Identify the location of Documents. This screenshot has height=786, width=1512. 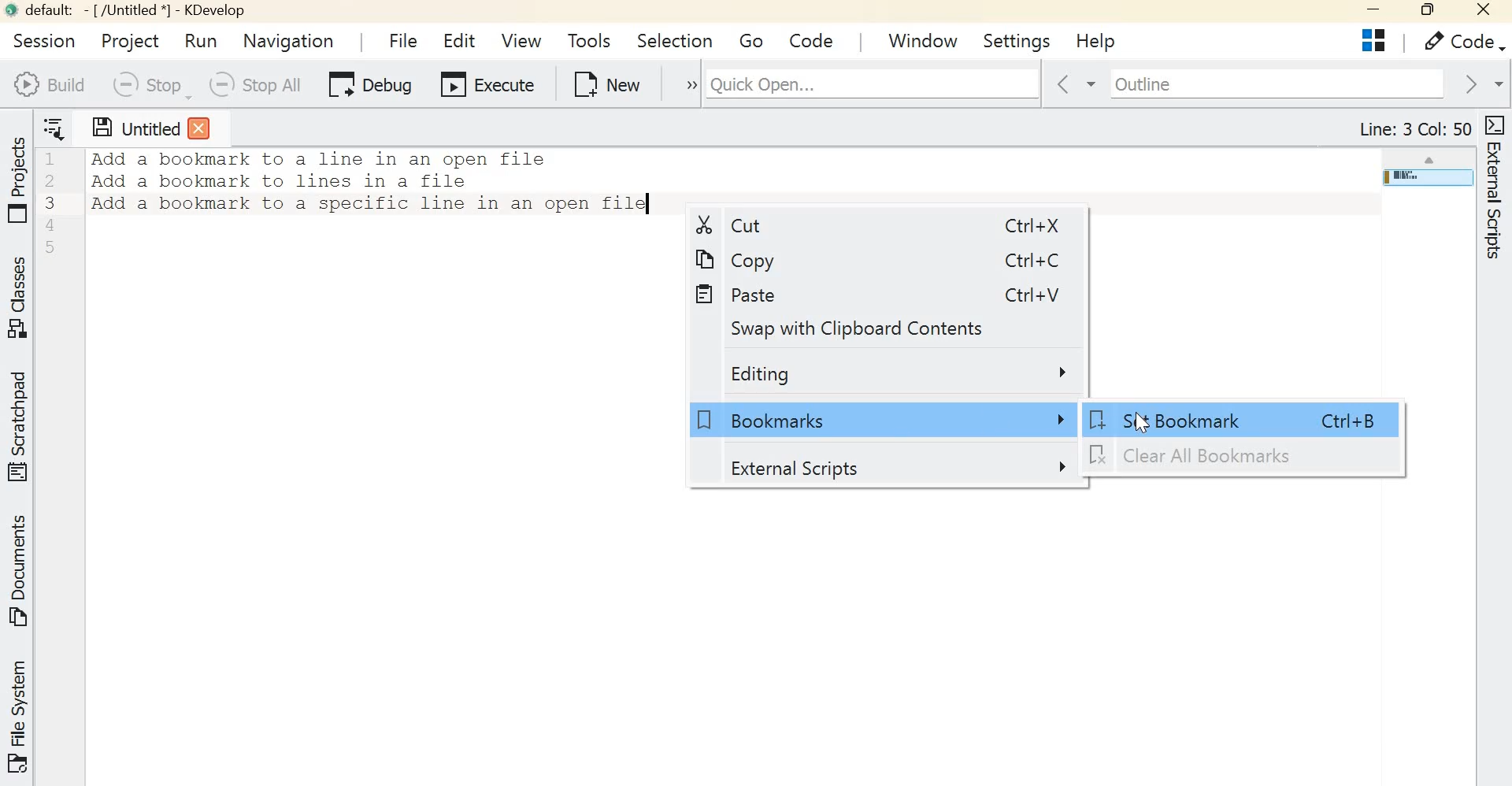
(17, 574).